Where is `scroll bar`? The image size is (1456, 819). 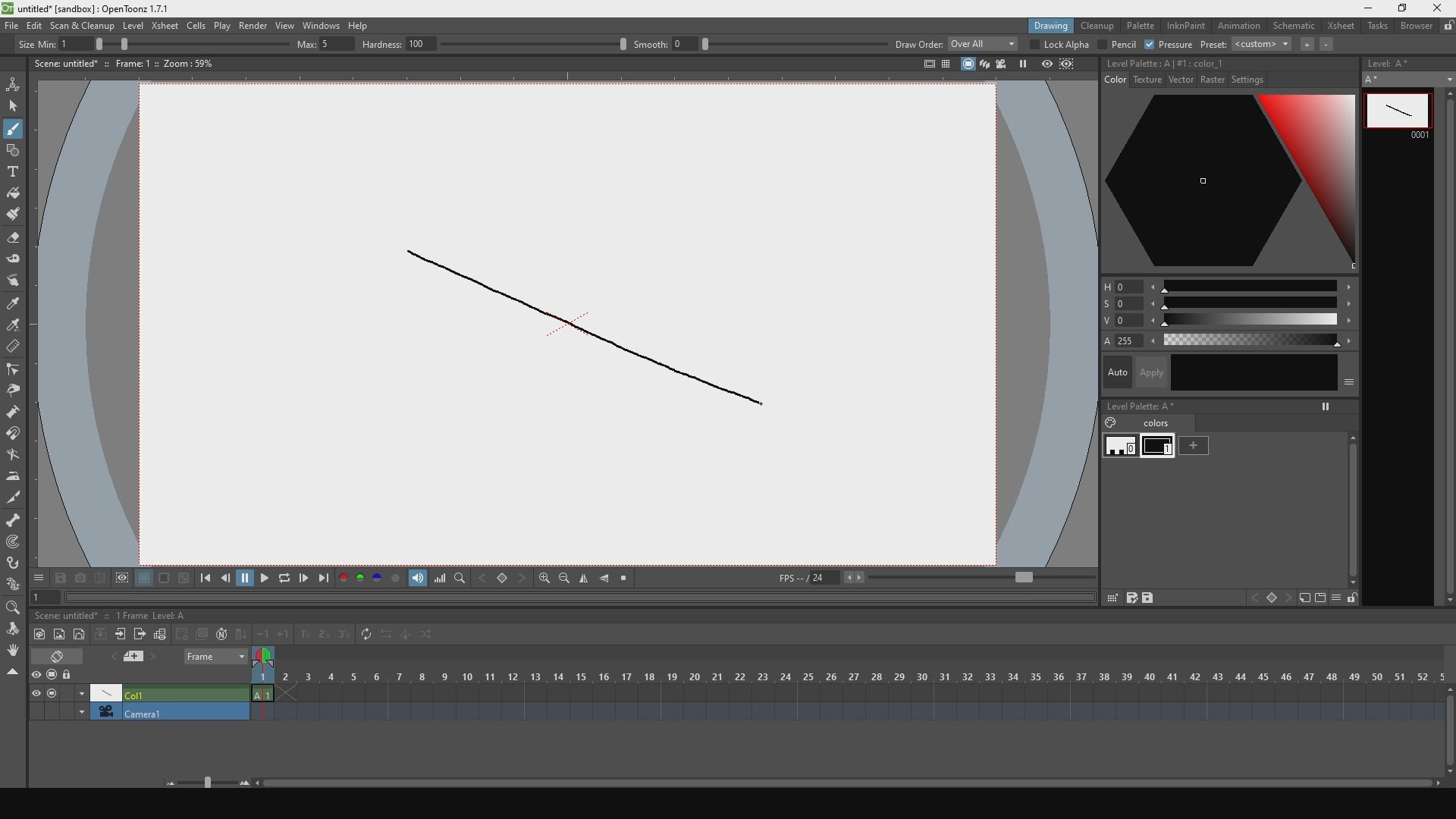 scroll bar is located at coordinates (1447, 730).